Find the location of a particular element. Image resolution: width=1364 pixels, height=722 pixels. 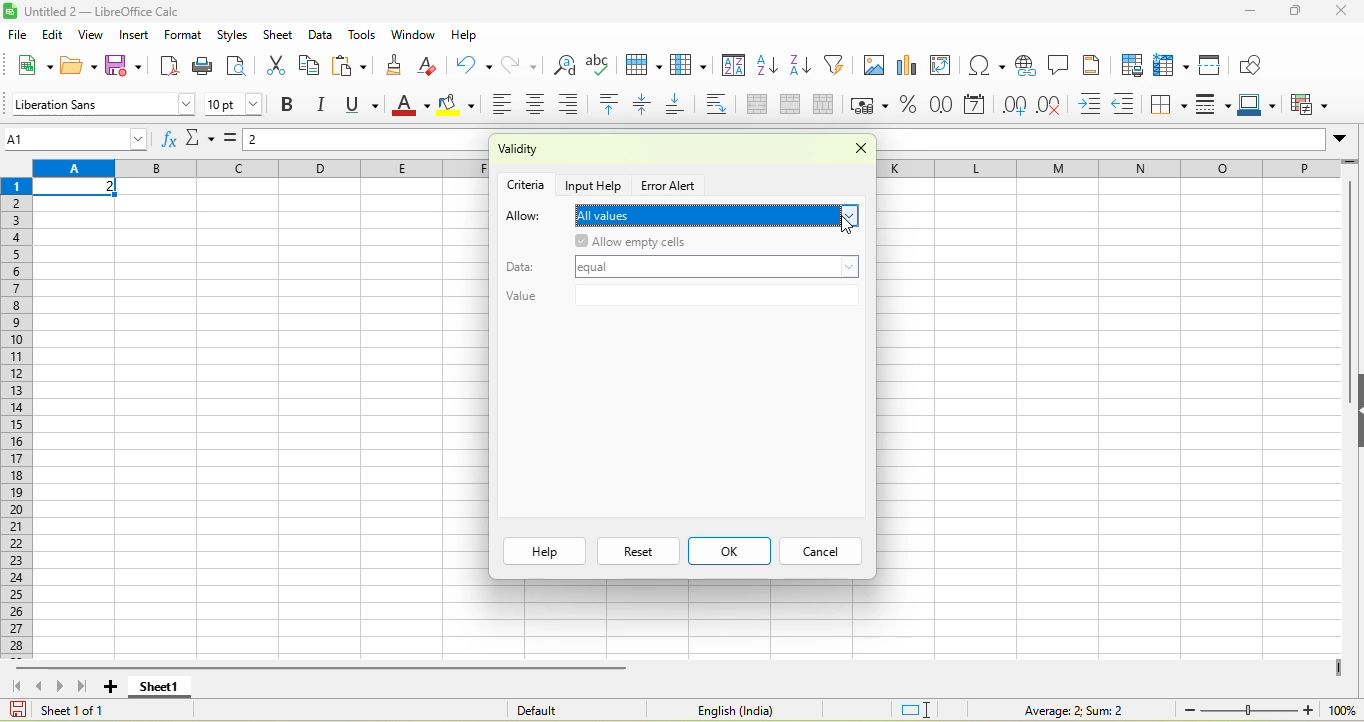

formula bar is located at coordinates (368, 142).